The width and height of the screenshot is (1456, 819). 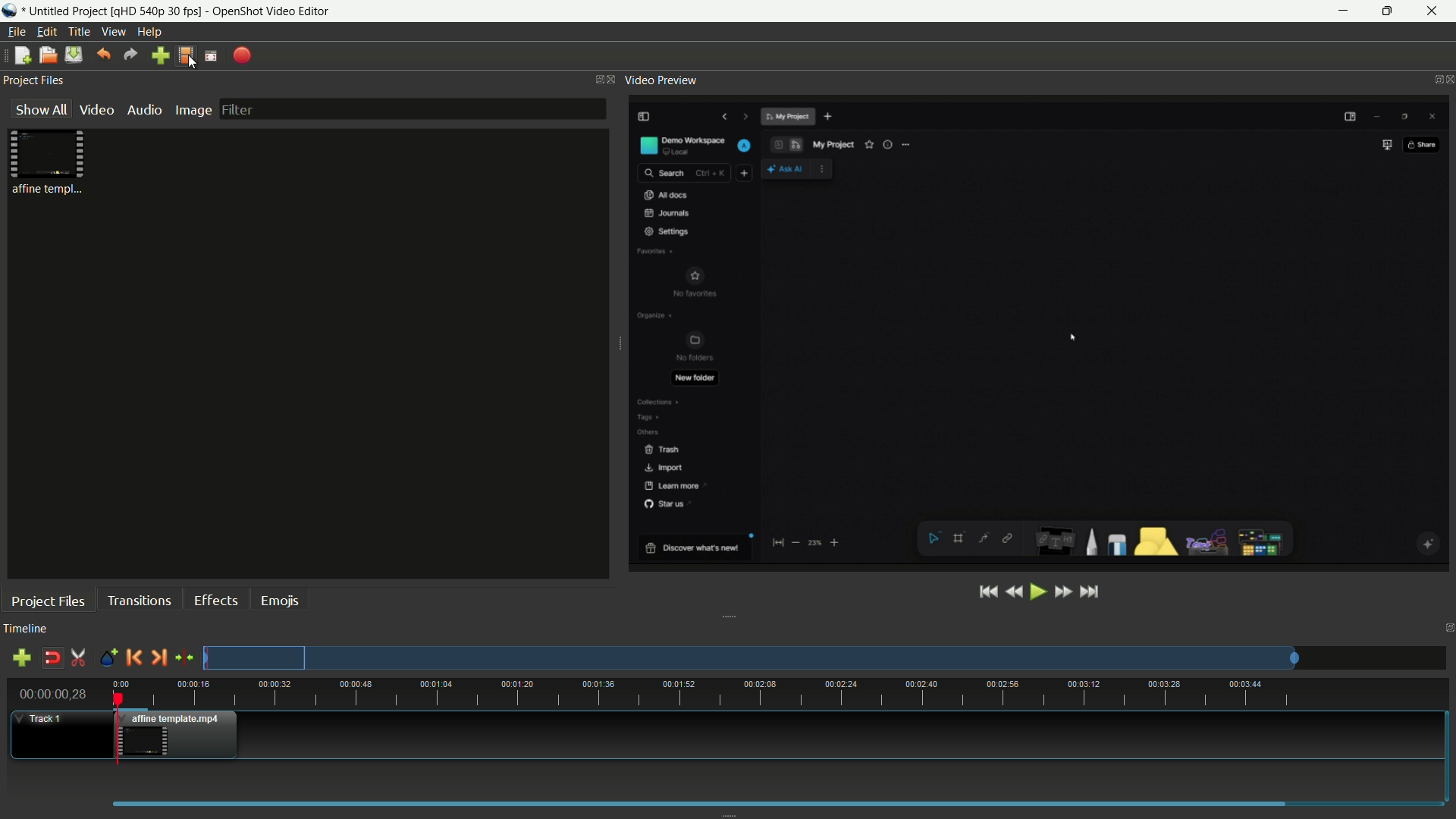 What do you see at coordinates (1343, 11) in the screenshot?
I see `minimize` at bounding box center [1343, 11].